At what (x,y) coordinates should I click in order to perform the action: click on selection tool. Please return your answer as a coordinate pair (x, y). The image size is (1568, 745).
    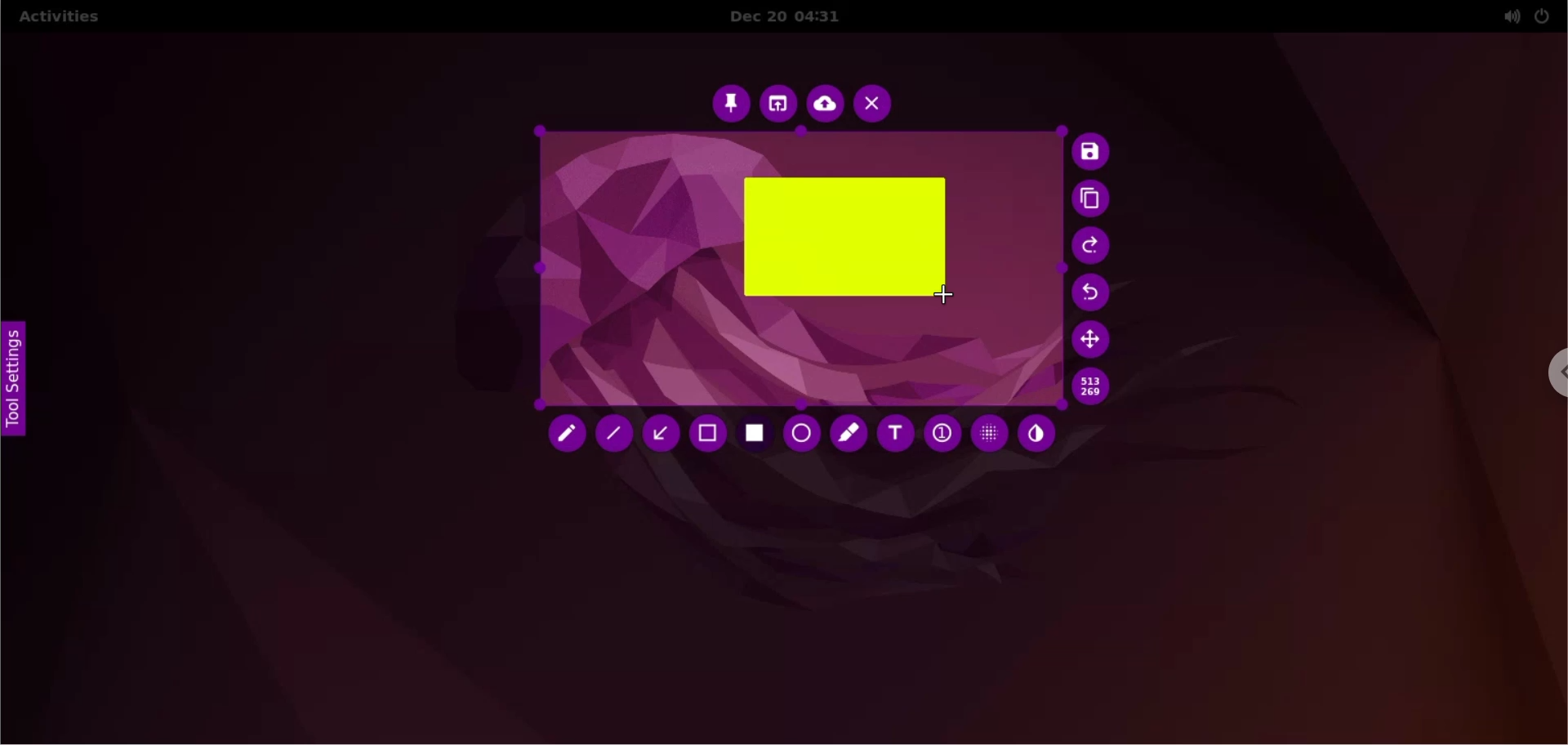
    Looking at the image, I should click on (707, 436).